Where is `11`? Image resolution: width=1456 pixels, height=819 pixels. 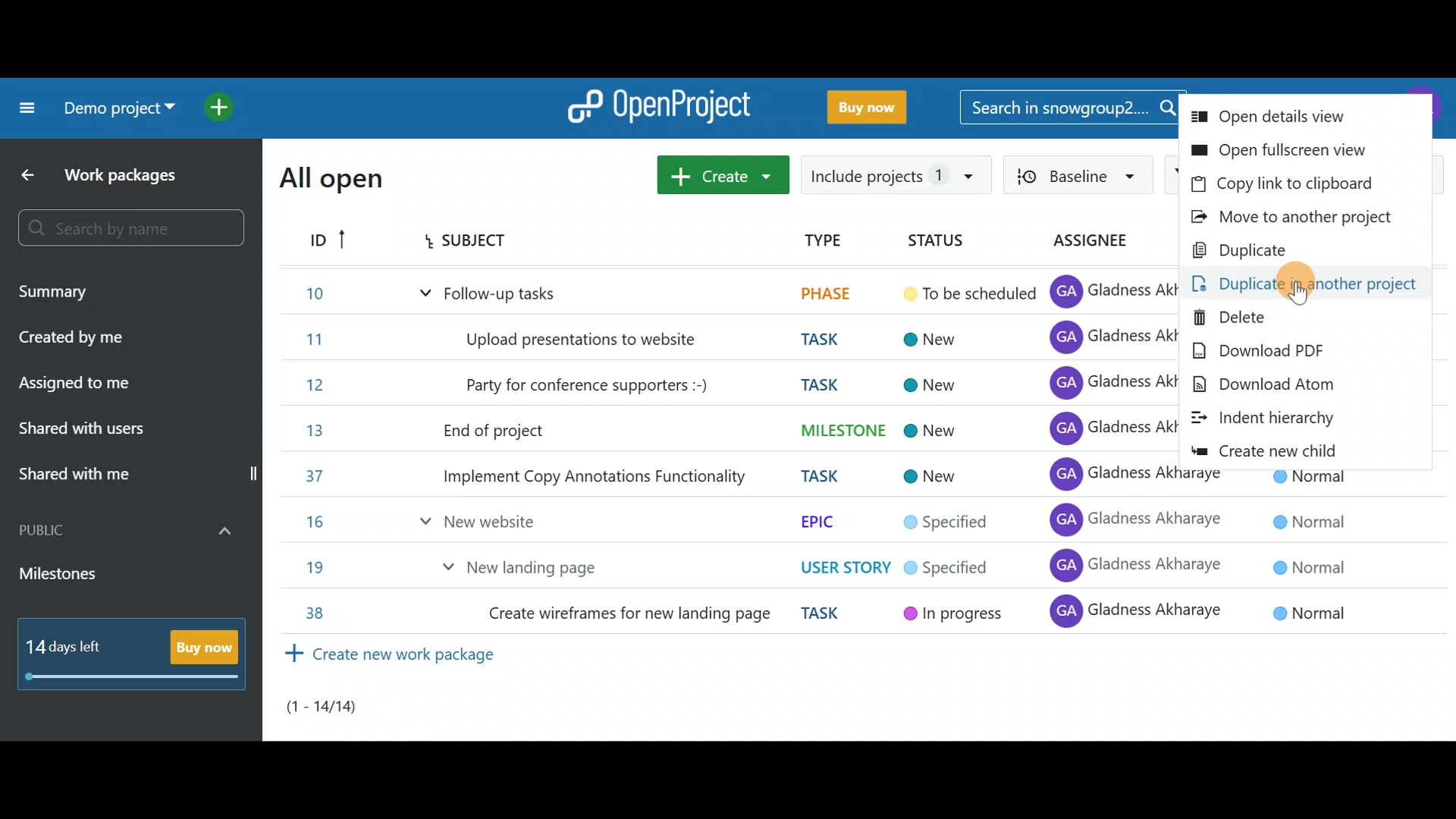 11 is located at coordinates (304, 338).